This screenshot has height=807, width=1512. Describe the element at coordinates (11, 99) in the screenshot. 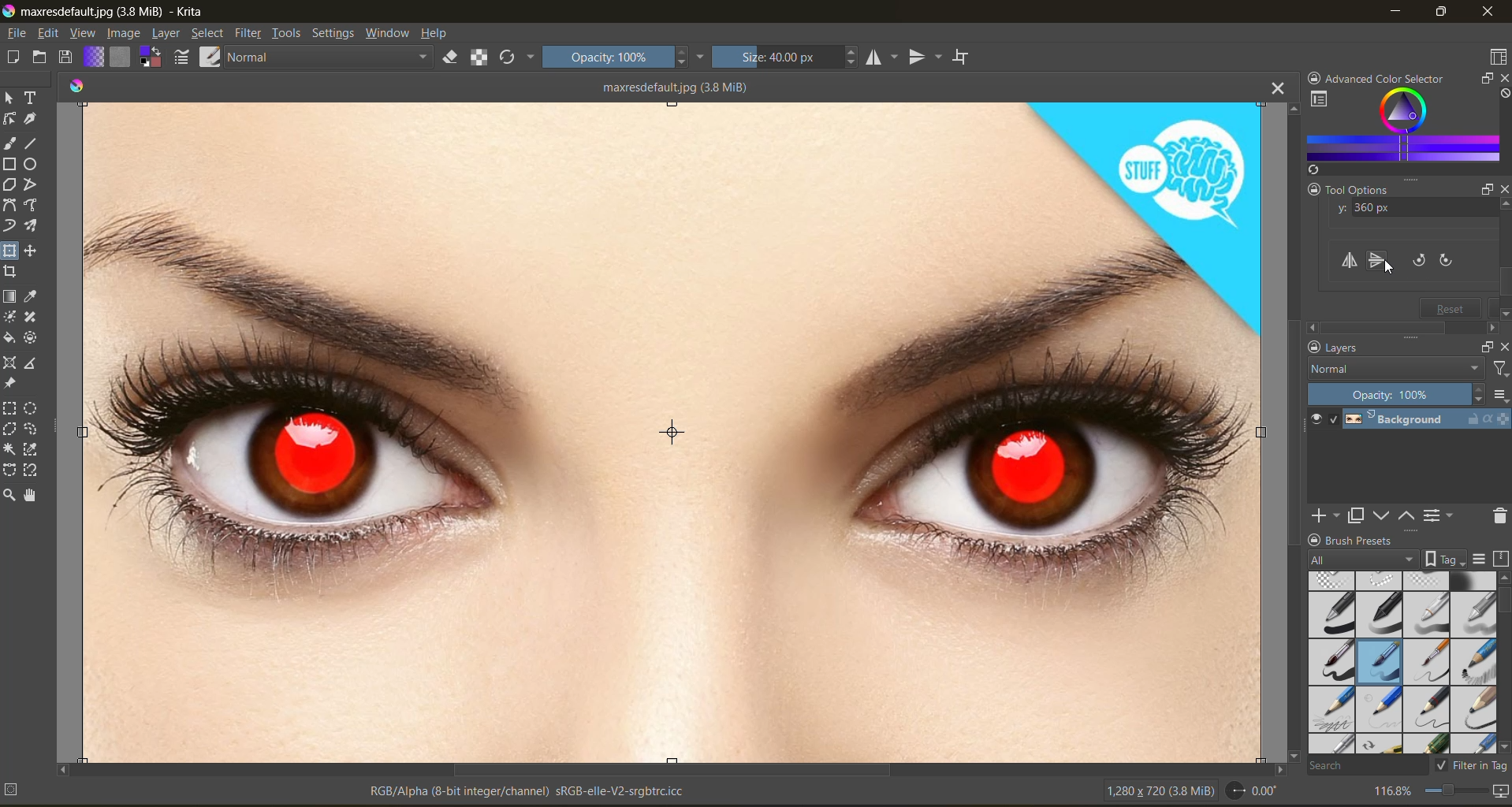

I see `tool` at that location.